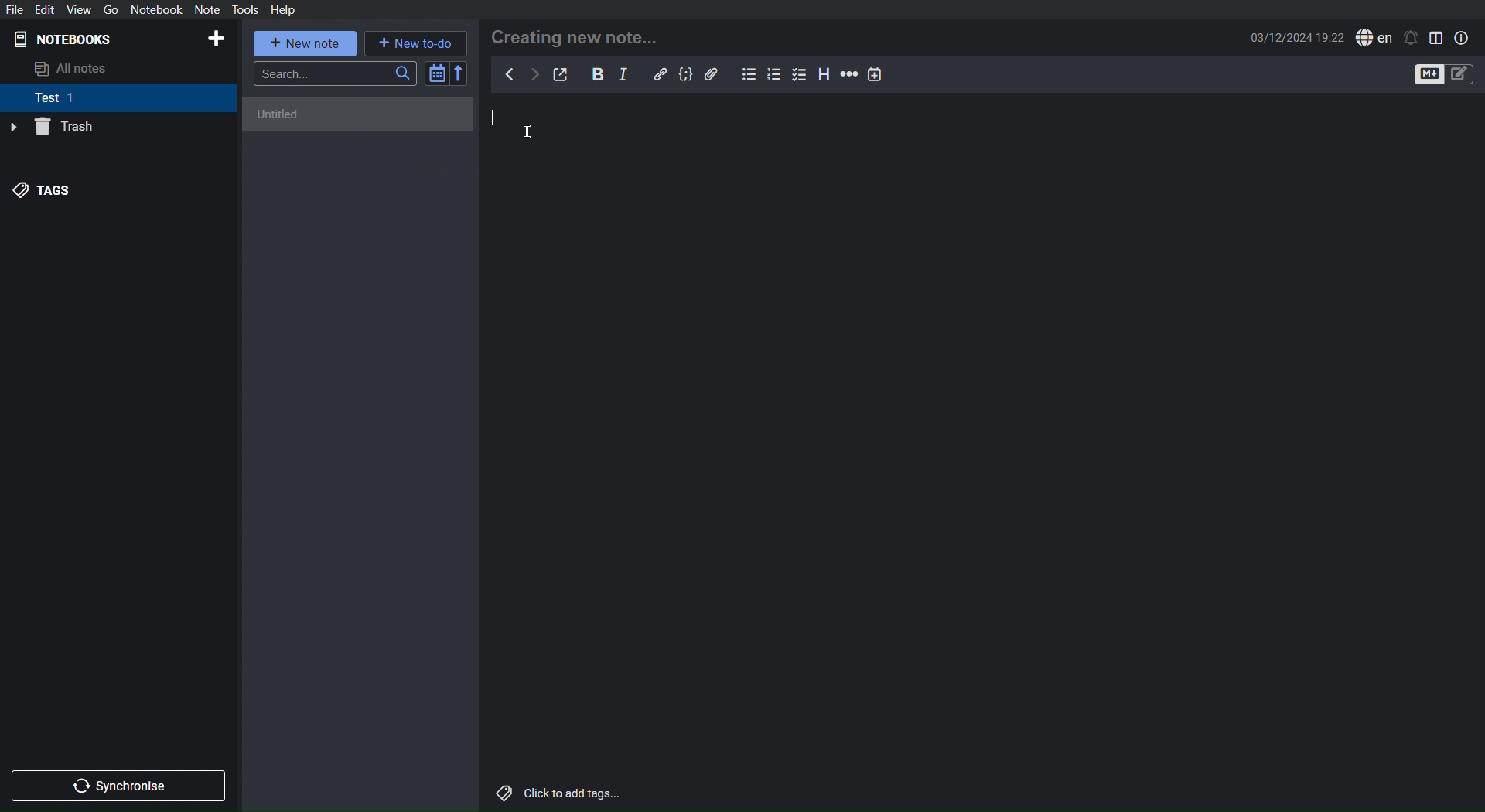 Image resolution: width=1485 pixels, height=812 pixels. Describe the element at coordinates (306, 44) in the screenshot. I see `New note` at that location.